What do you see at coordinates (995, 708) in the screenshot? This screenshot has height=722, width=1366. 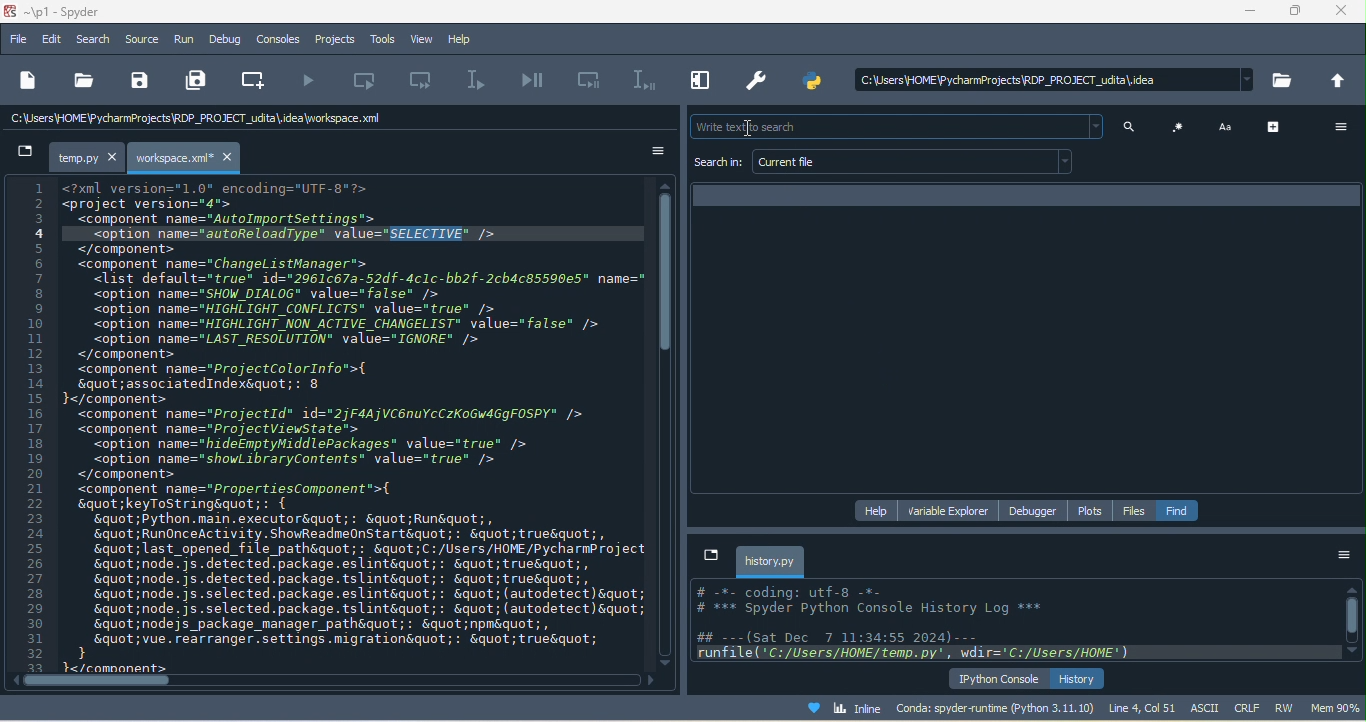 I see `conda spyder runtime` at bounding box center [995, 708].